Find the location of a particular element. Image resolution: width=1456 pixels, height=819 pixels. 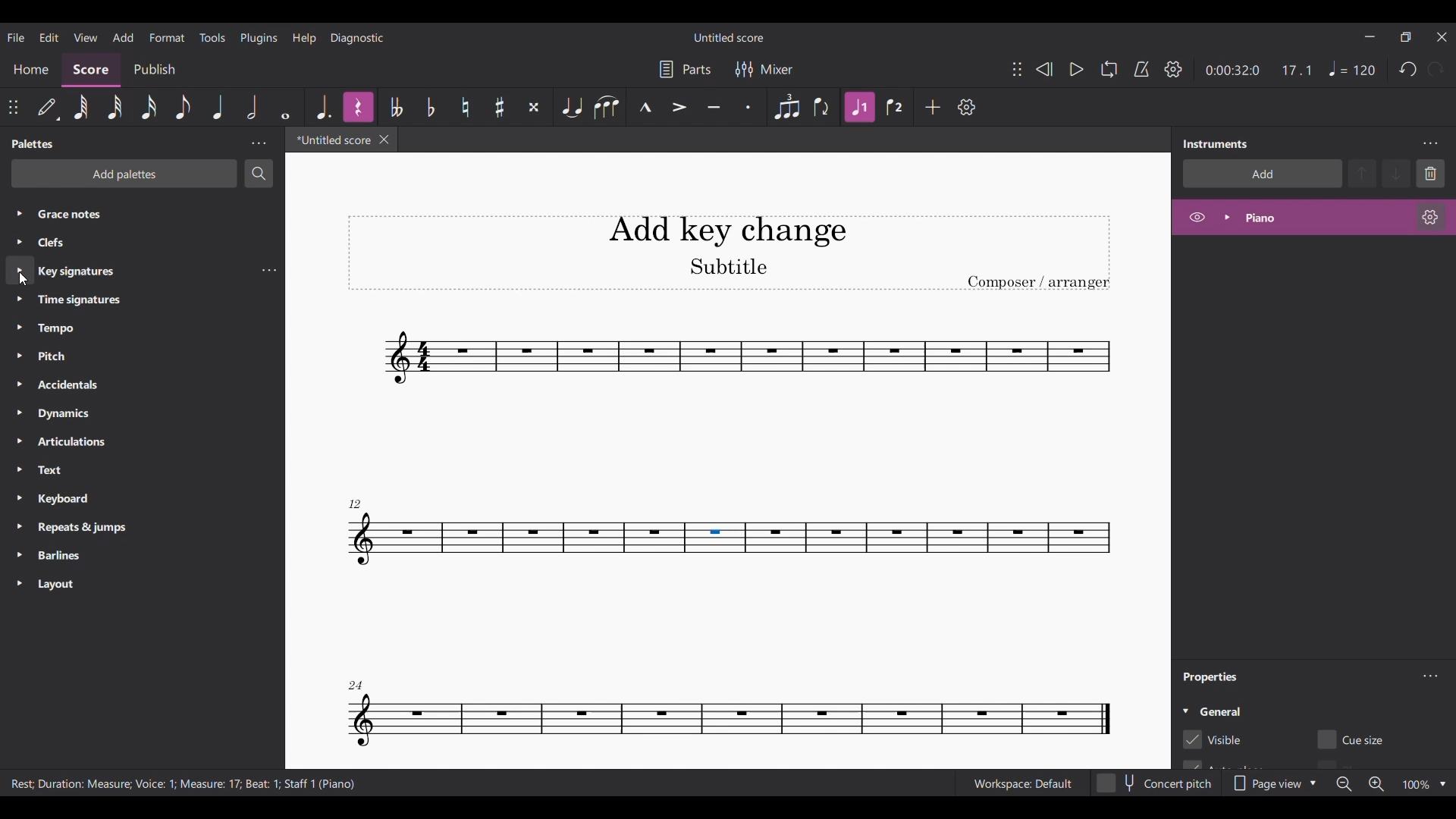

Edit menu is located at coordinates (49, 37).